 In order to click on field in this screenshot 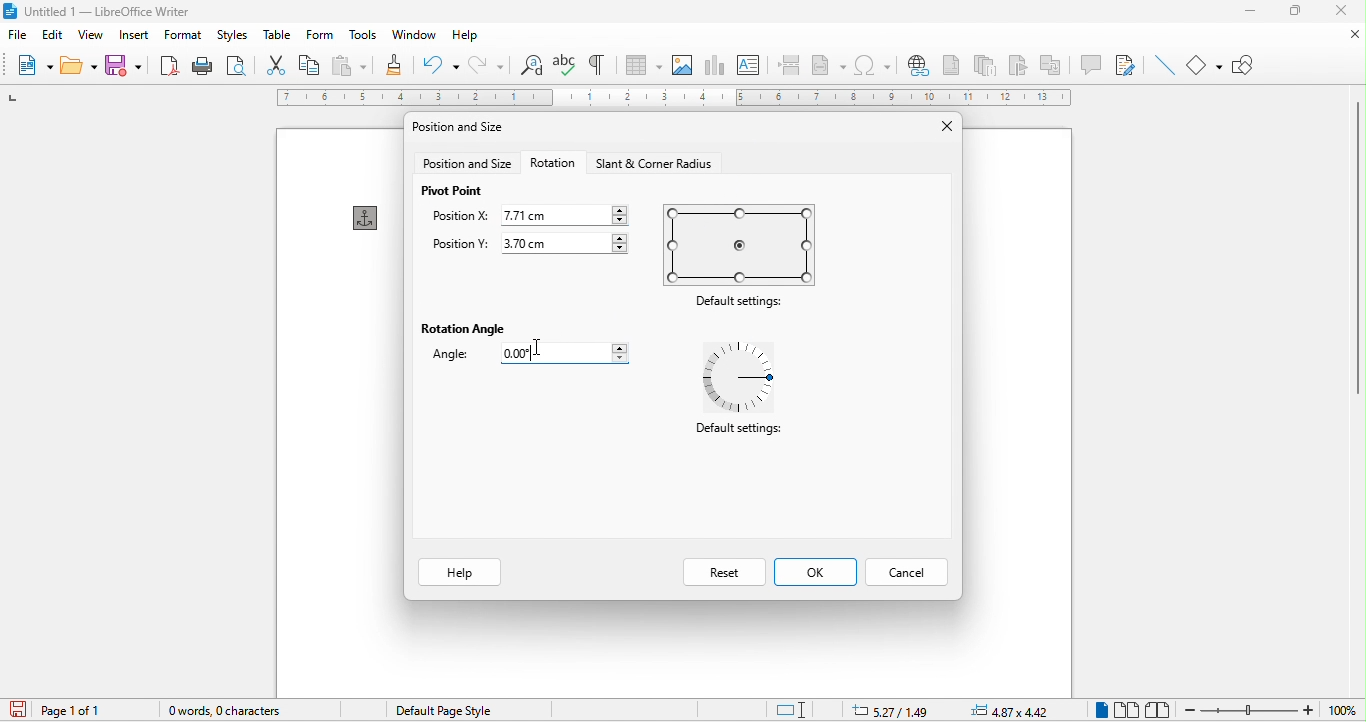, I will do `click(829, 63)`.